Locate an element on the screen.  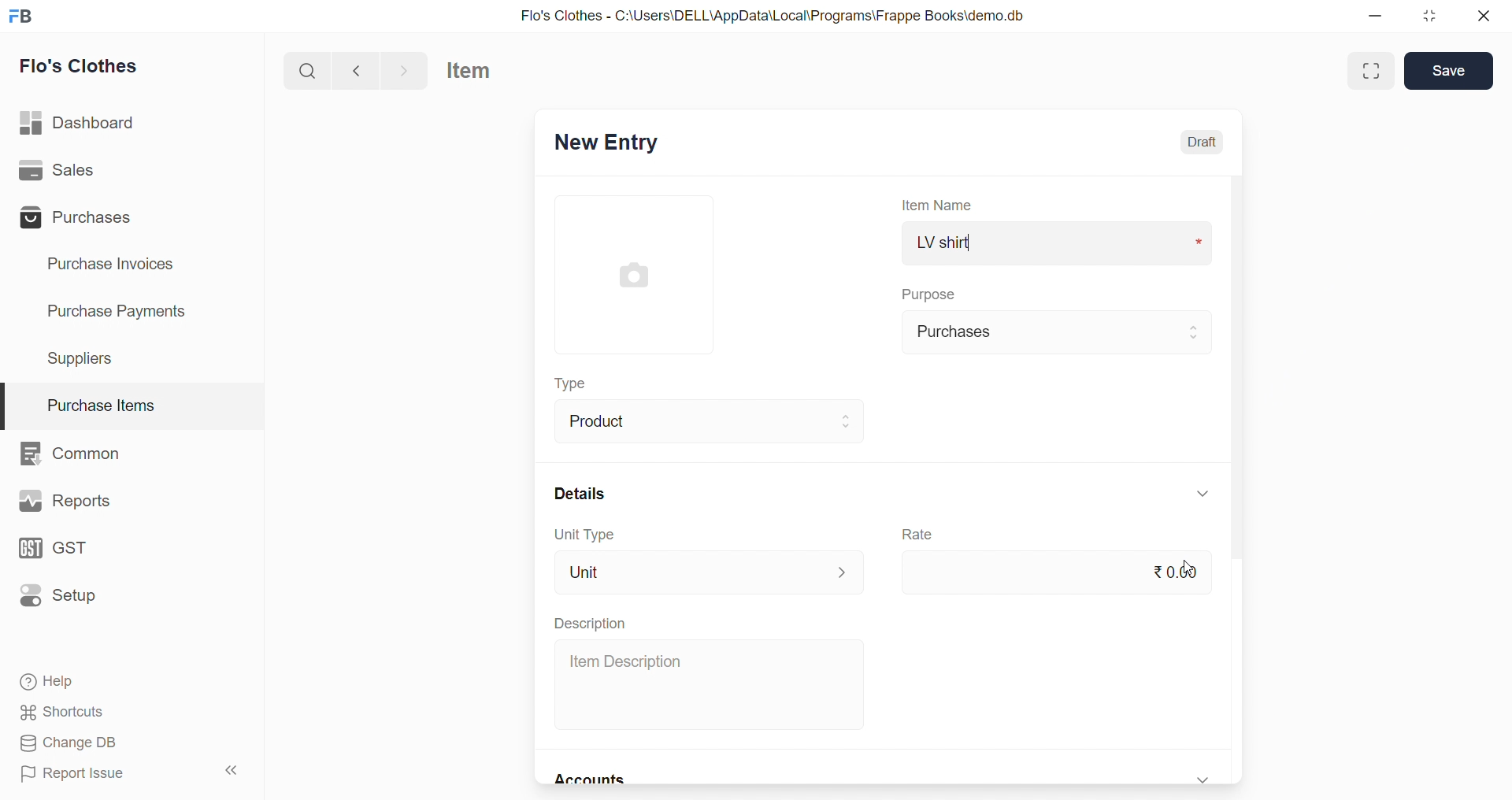
Flo's Clothes - C:\Users\DELL\AppData\Local\Programs\Frappe Books\demo.db is located at coordinates (773, 14).